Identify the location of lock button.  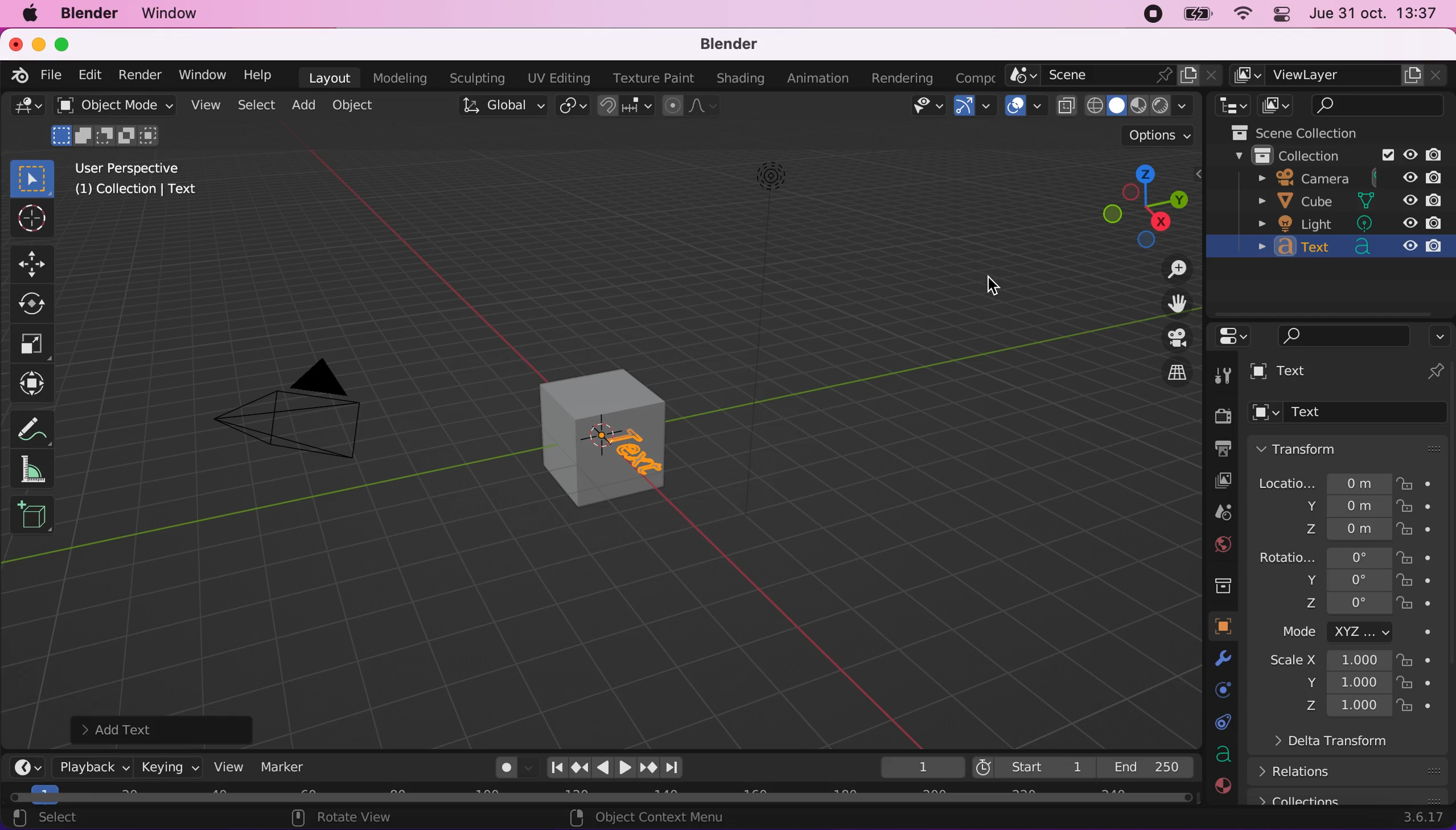
(1419, 604).